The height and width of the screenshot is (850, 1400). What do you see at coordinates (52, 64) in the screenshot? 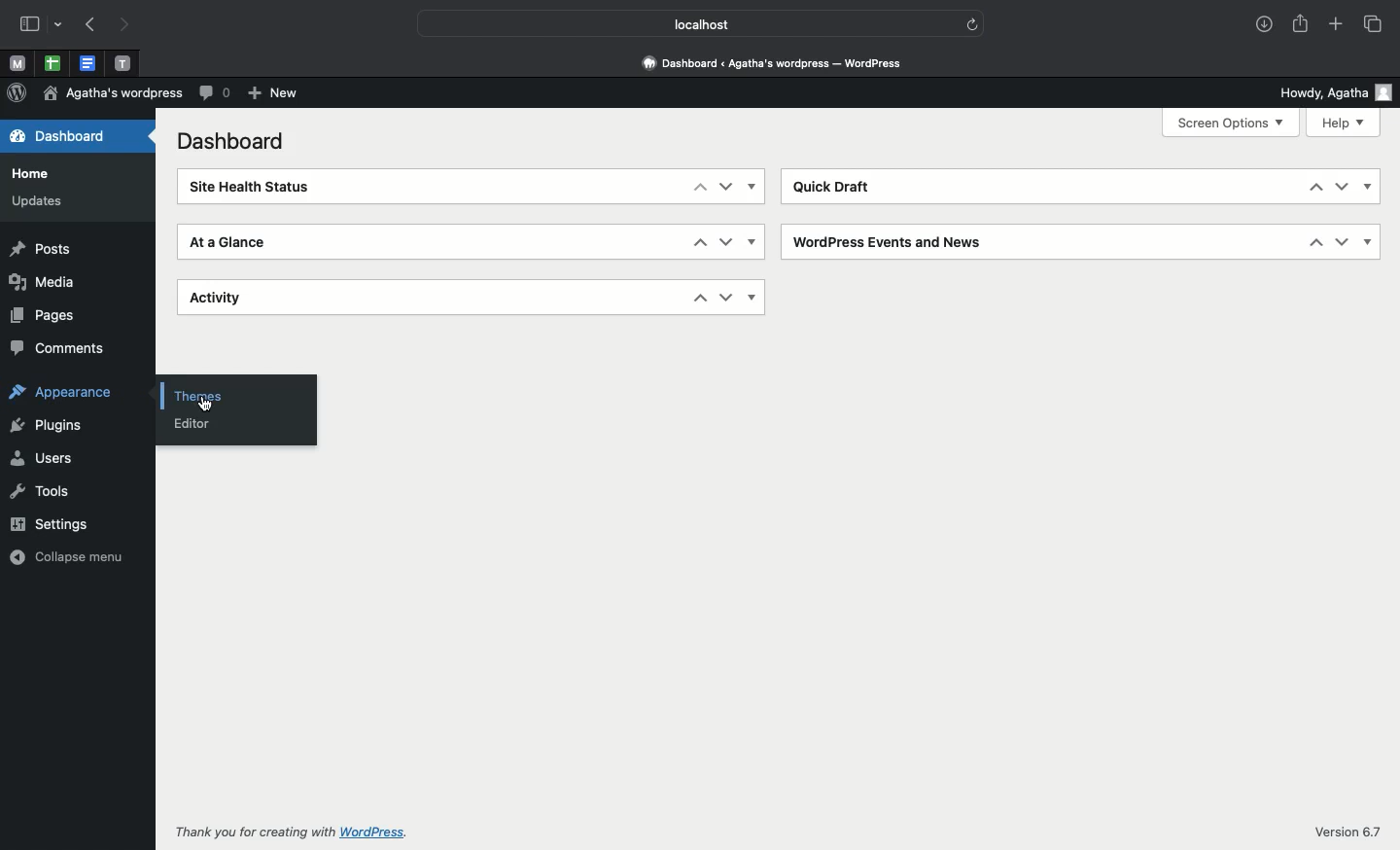
I see `Pinned tab` at bounding box center [52, 64].